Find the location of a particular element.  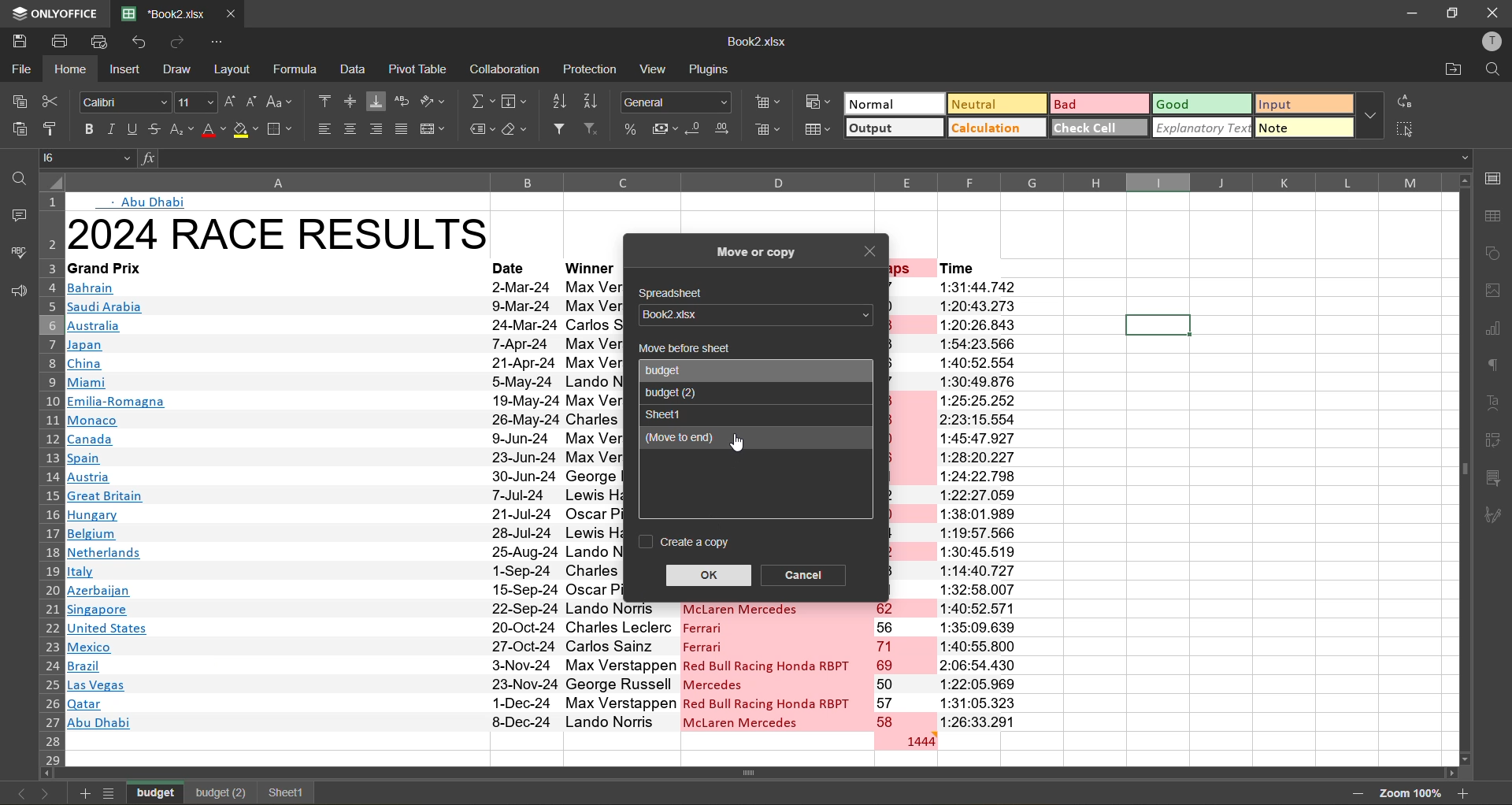

strikethrough is located at coordinates (156, 129).